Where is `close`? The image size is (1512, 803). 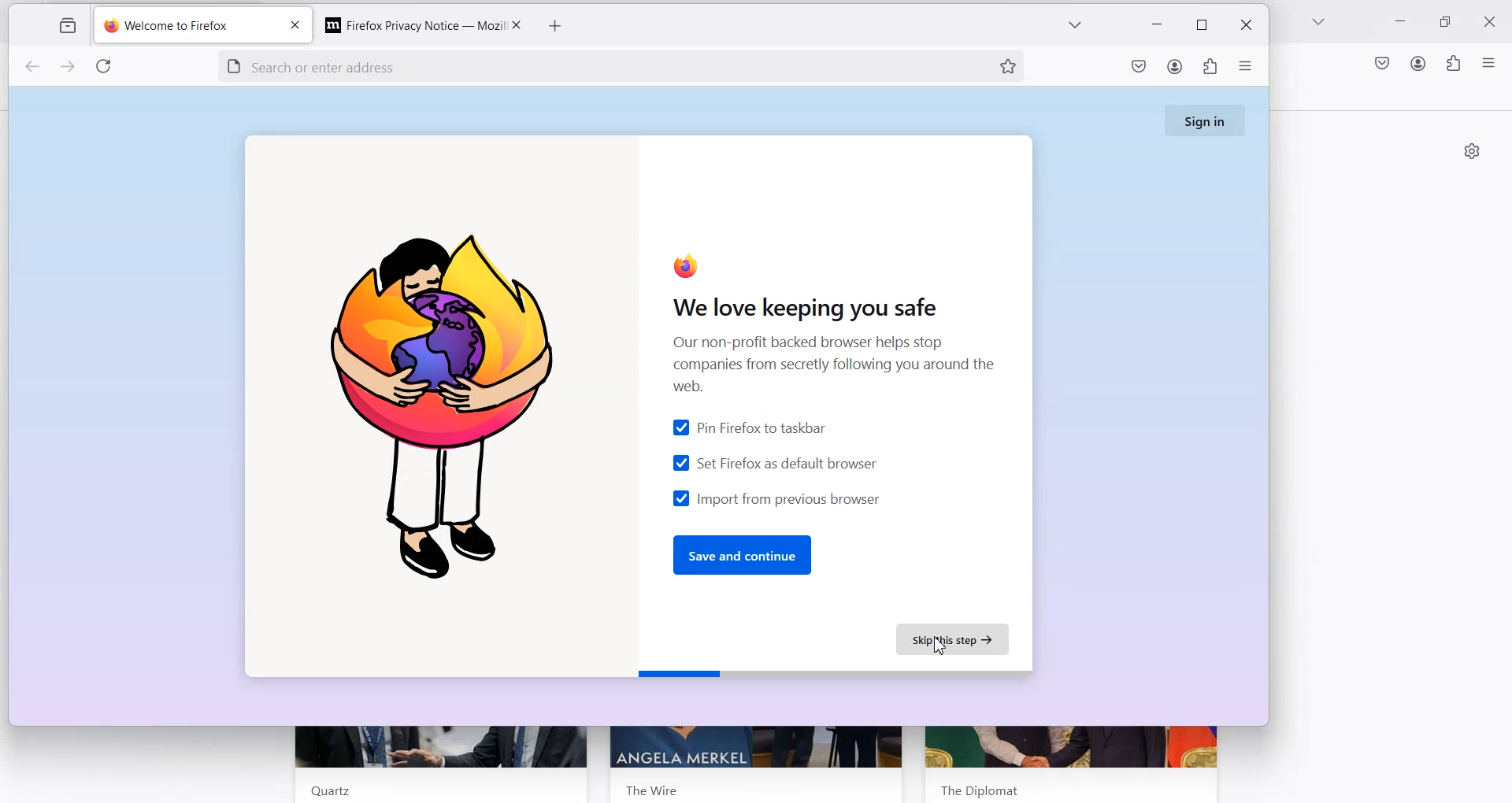
close is located at coordinates (294, 27).